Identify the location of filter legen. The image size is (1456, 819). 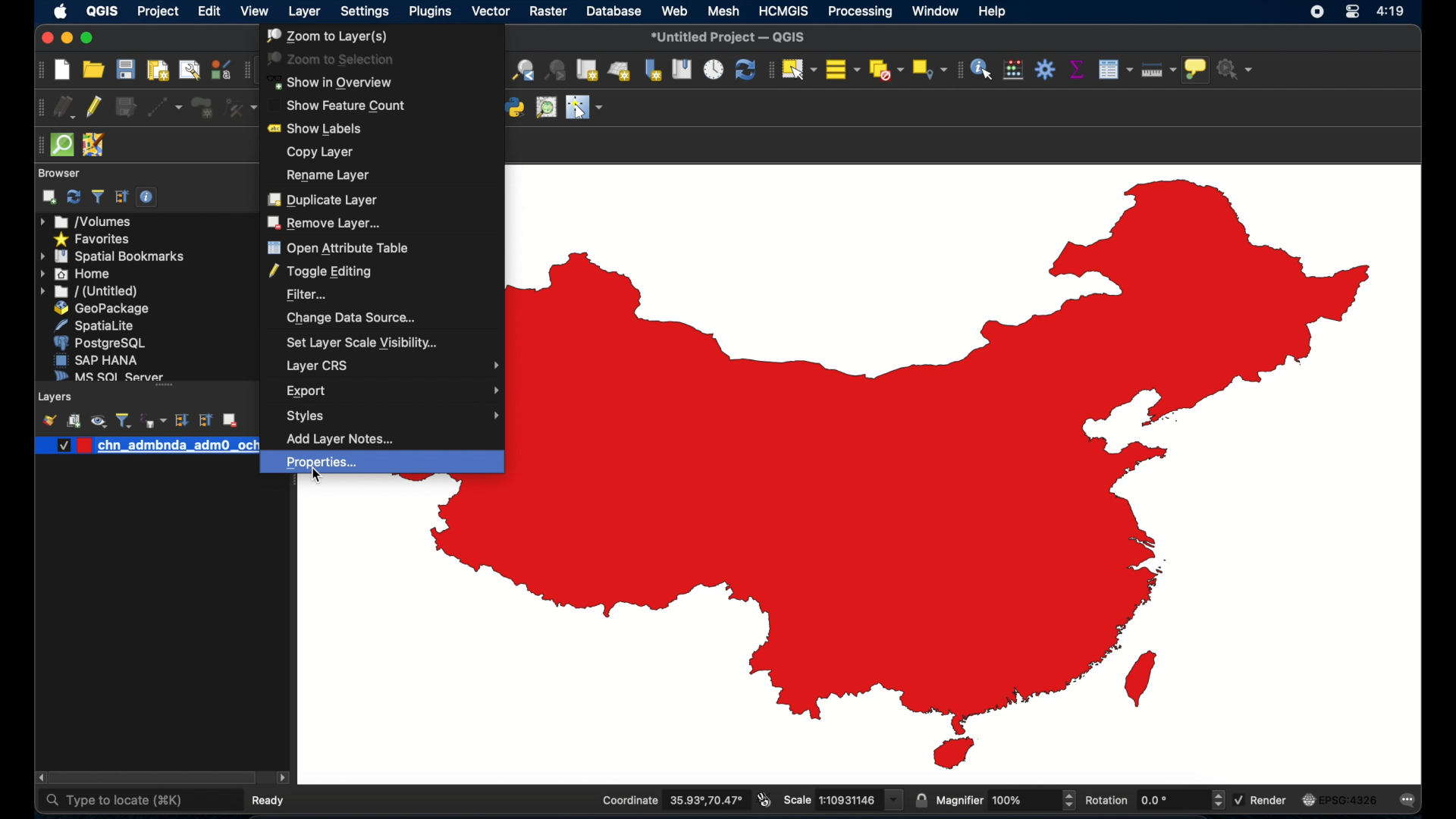
(124, 420).